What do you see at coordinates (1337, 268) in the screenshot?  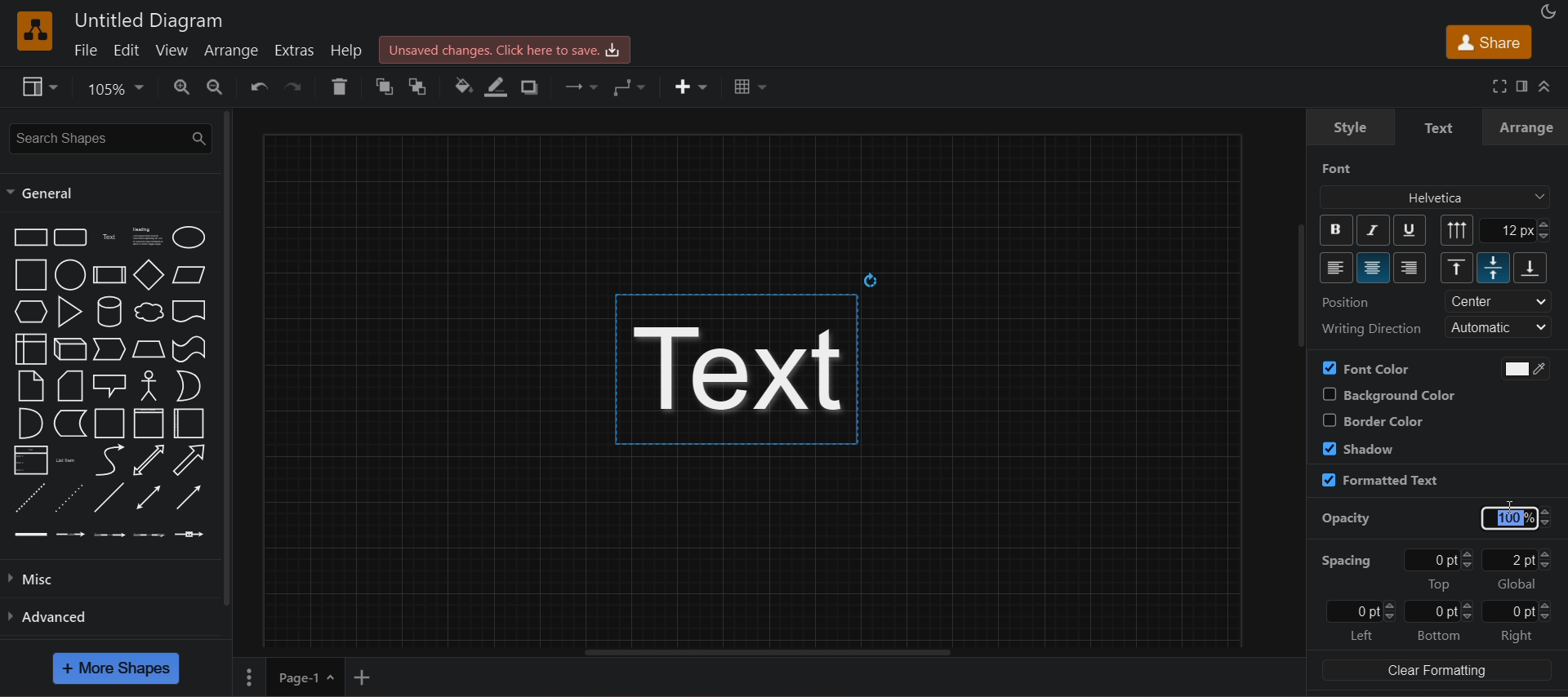 I see `left` at bounding box center [1337, 268].